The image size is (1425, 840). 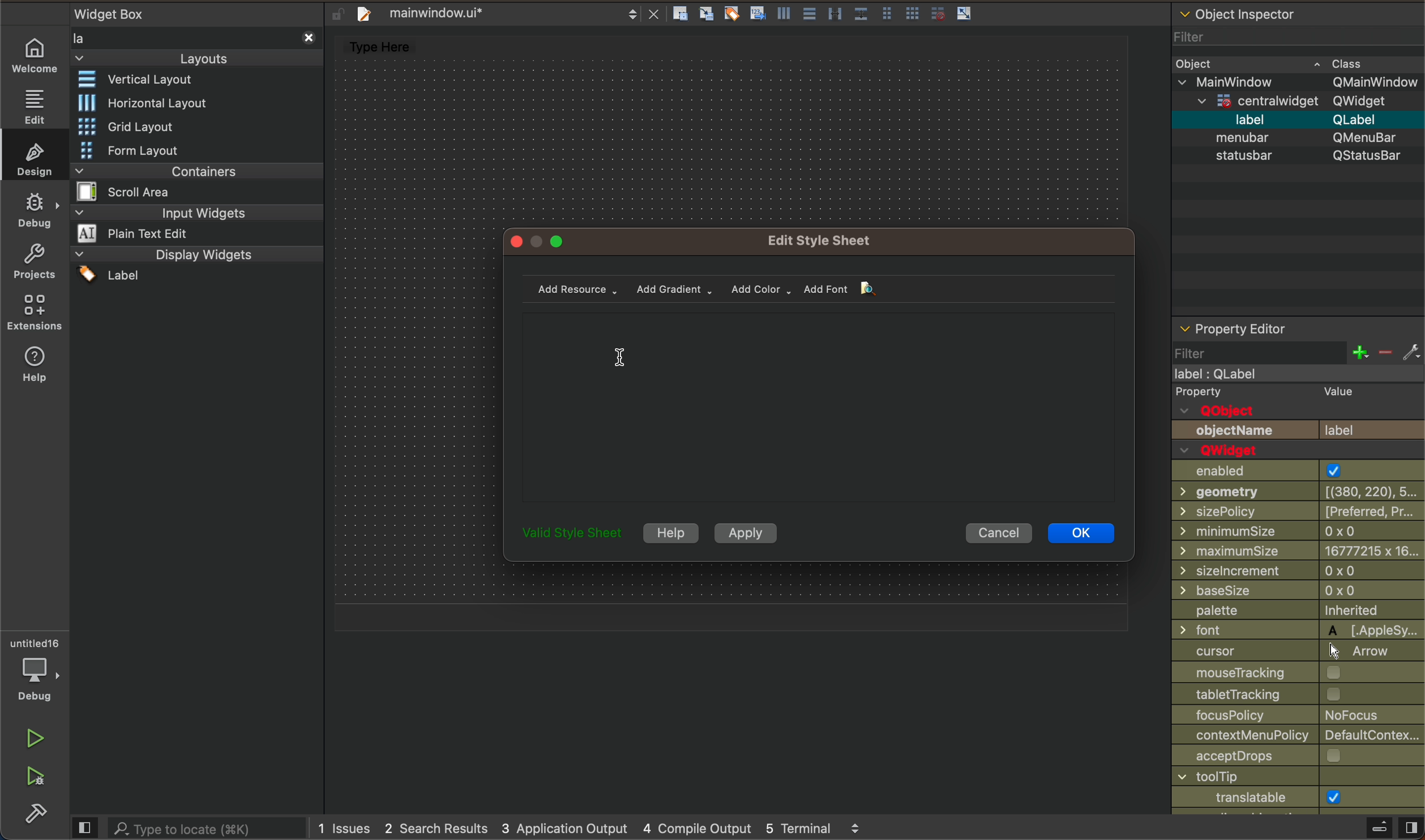 What do you see at coordinates (36, 106) in the screenshot?
I see `editor` at bounding box center [36, 106].